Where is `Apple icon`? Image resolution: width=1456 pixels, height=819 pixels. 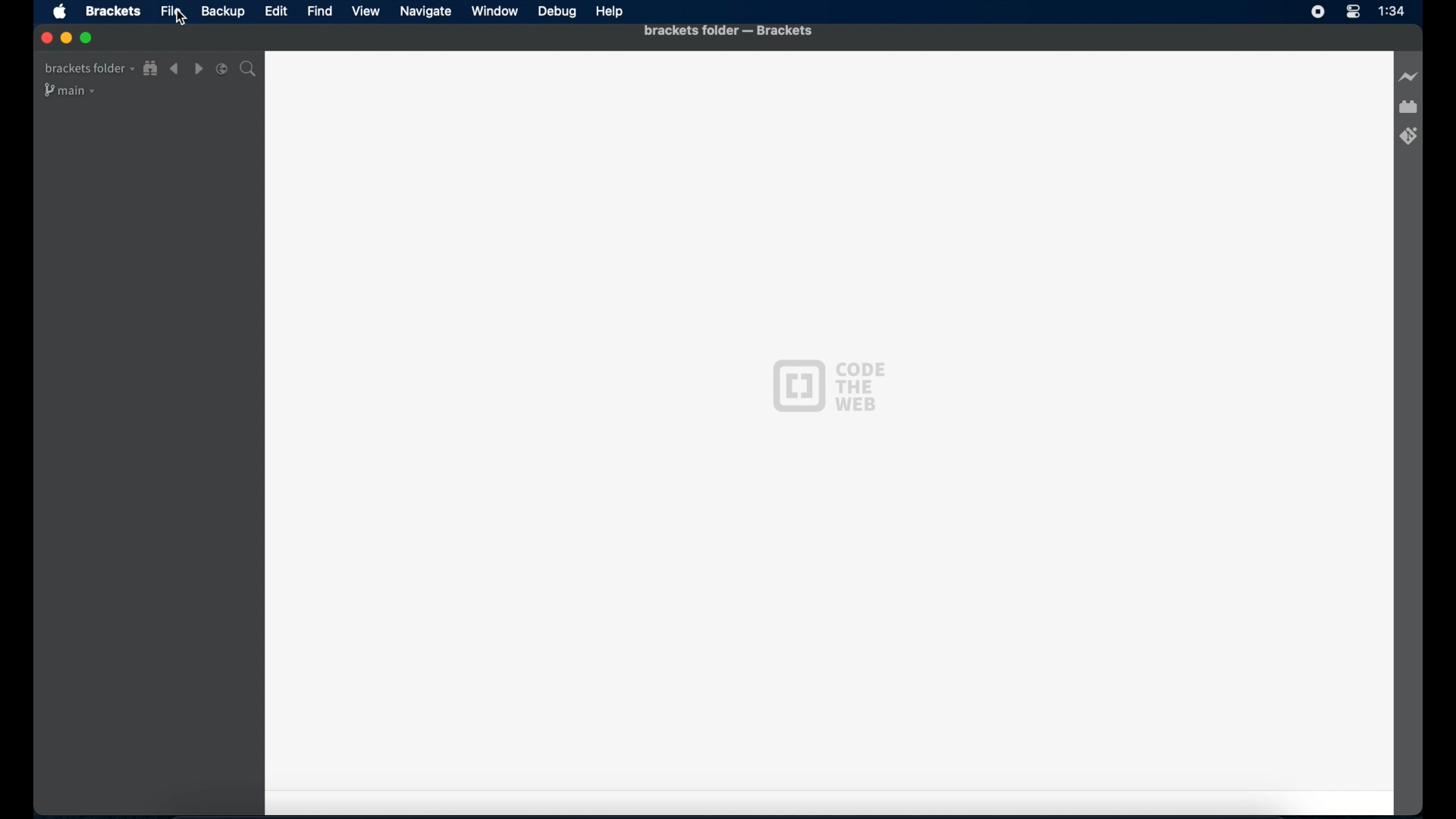 Apple icon is located at coordinates (61, 13).